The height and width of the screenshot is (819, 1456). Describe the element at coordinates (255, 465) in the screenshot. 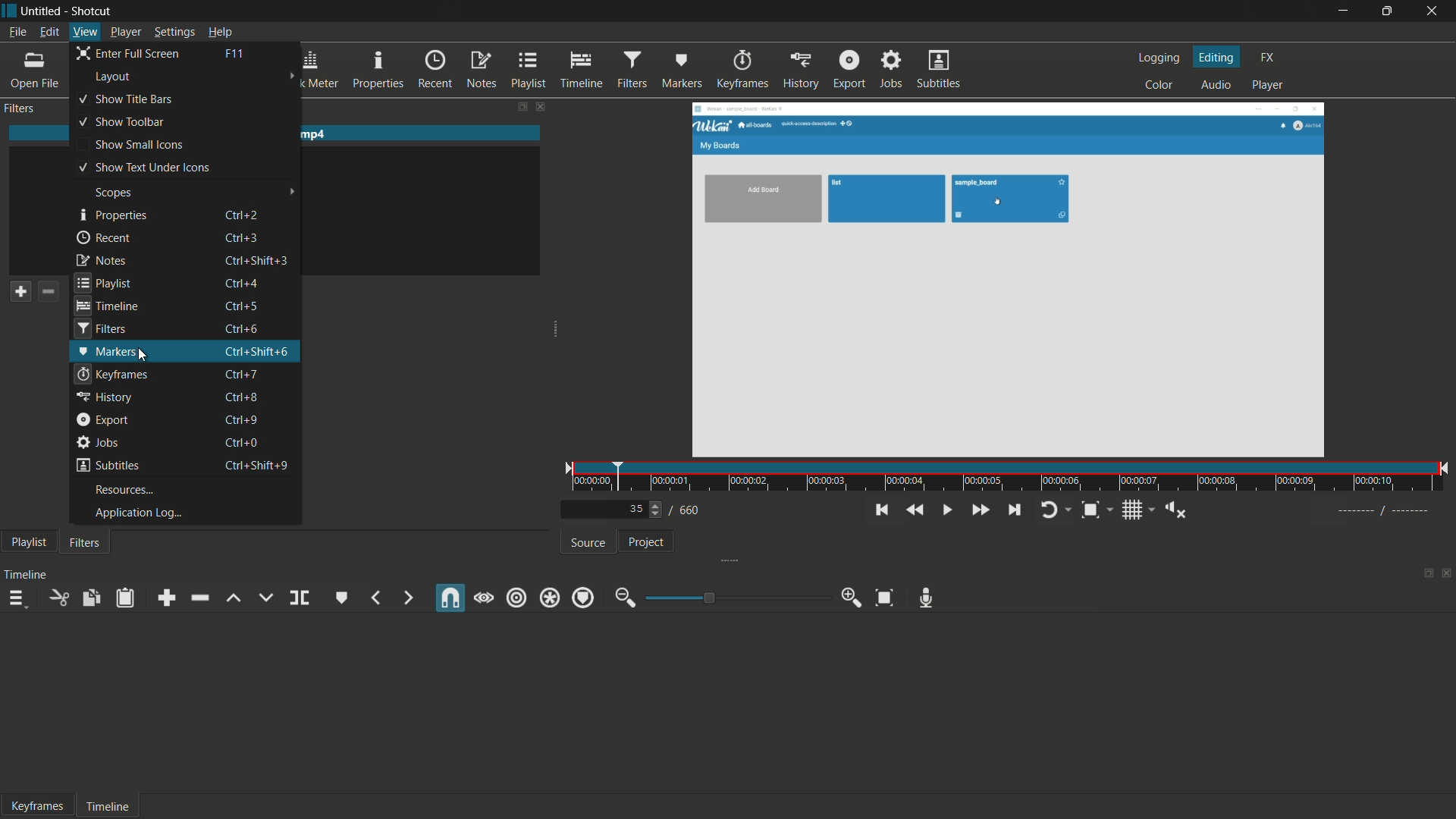

I see `keyboard shortcut` at that location.